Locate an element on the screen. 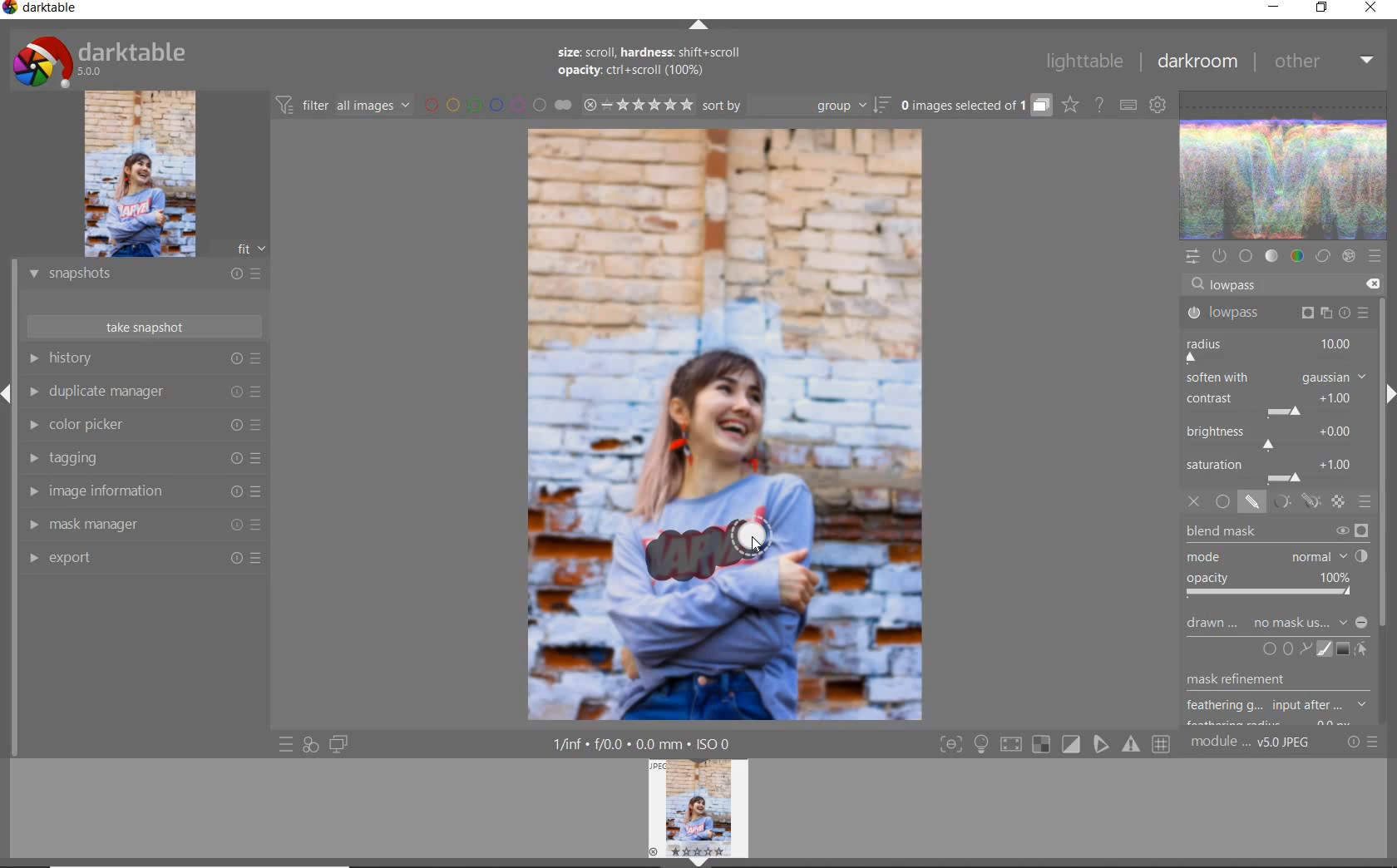 Image resolution: width=1397 pixels, height=868 pixels. waveform is located at coordinates (1285, 164).